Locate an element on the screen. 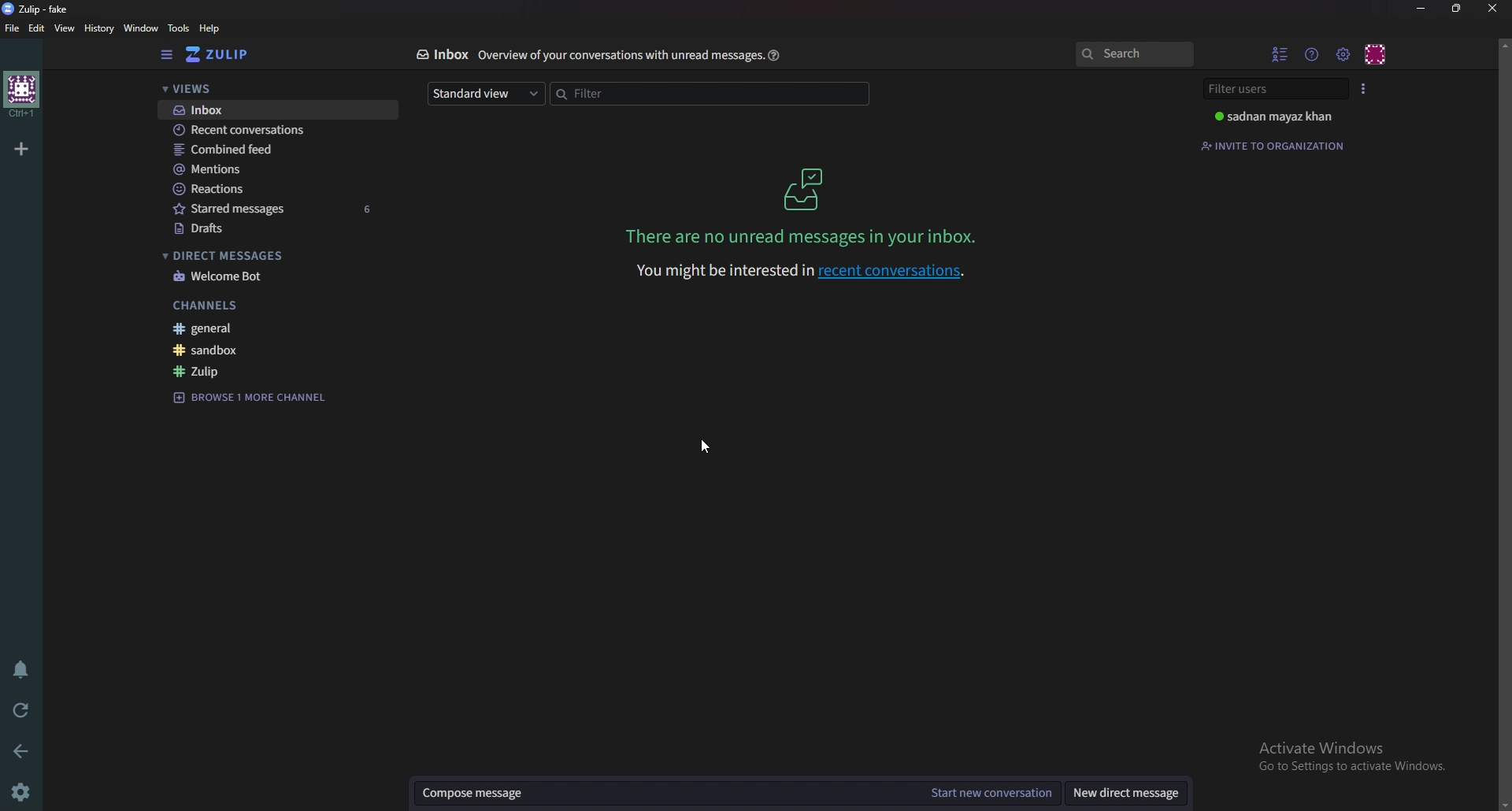 Image resolution: width=1512 pixels, height=811 pixels. View is located at coordinates (63, 28).